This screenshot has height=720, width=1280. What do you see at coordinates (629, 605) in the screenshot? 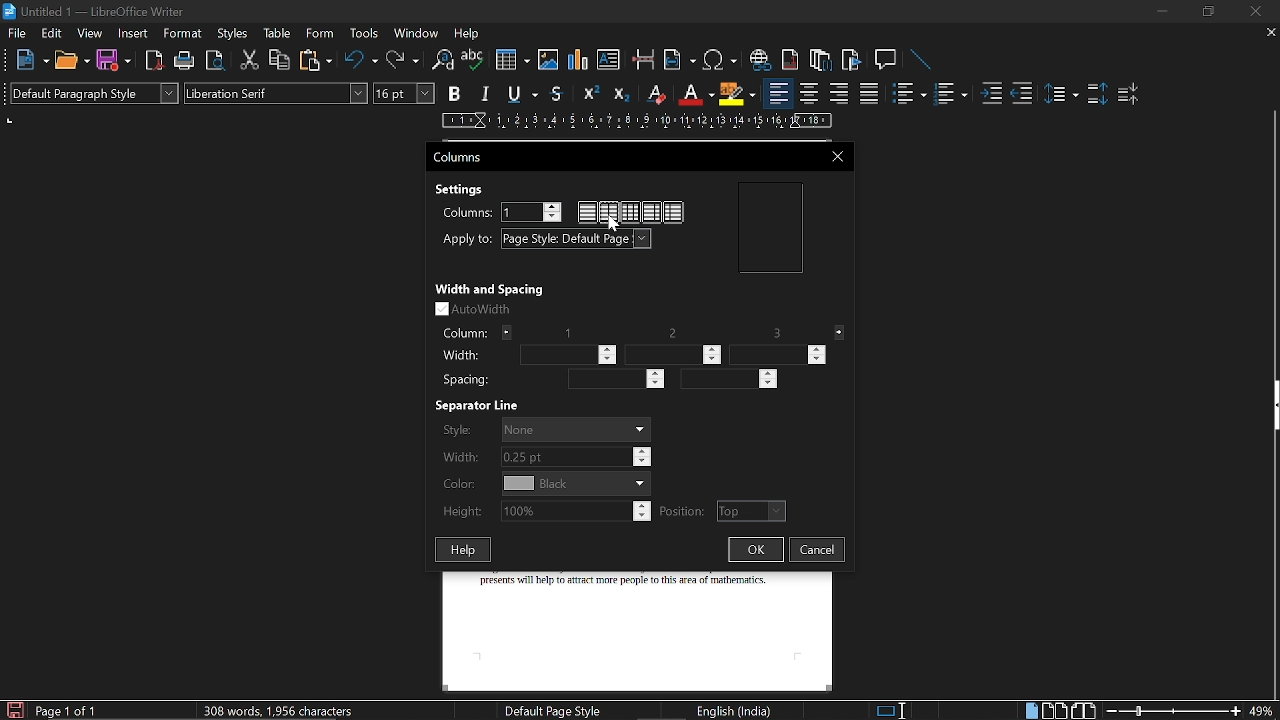
I see `presents will help to attract more people to this area of mathematics.` at bounding box center [629, 605].